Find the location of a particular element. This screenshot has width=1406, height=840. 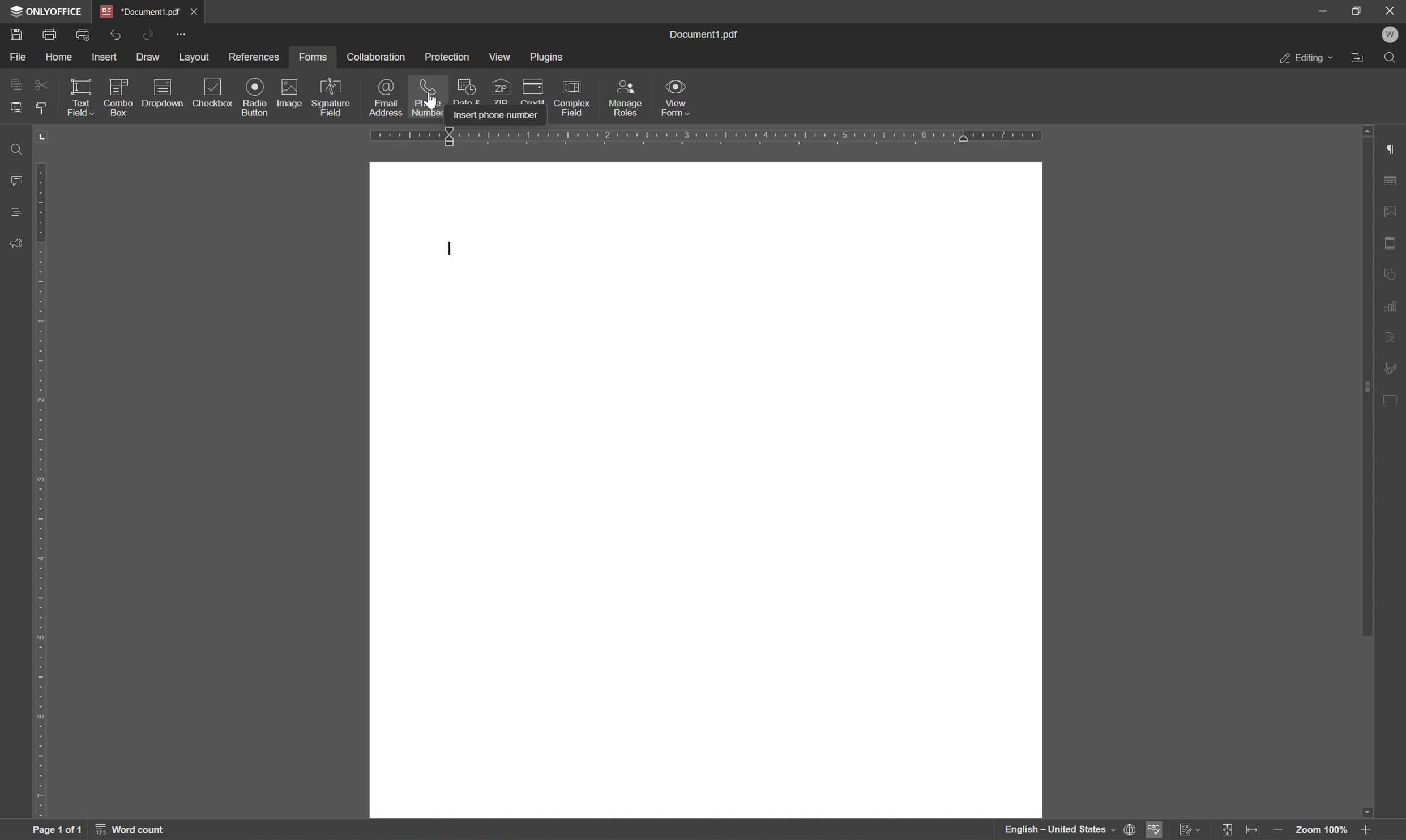

copy style is located at coordinates (43, 106).